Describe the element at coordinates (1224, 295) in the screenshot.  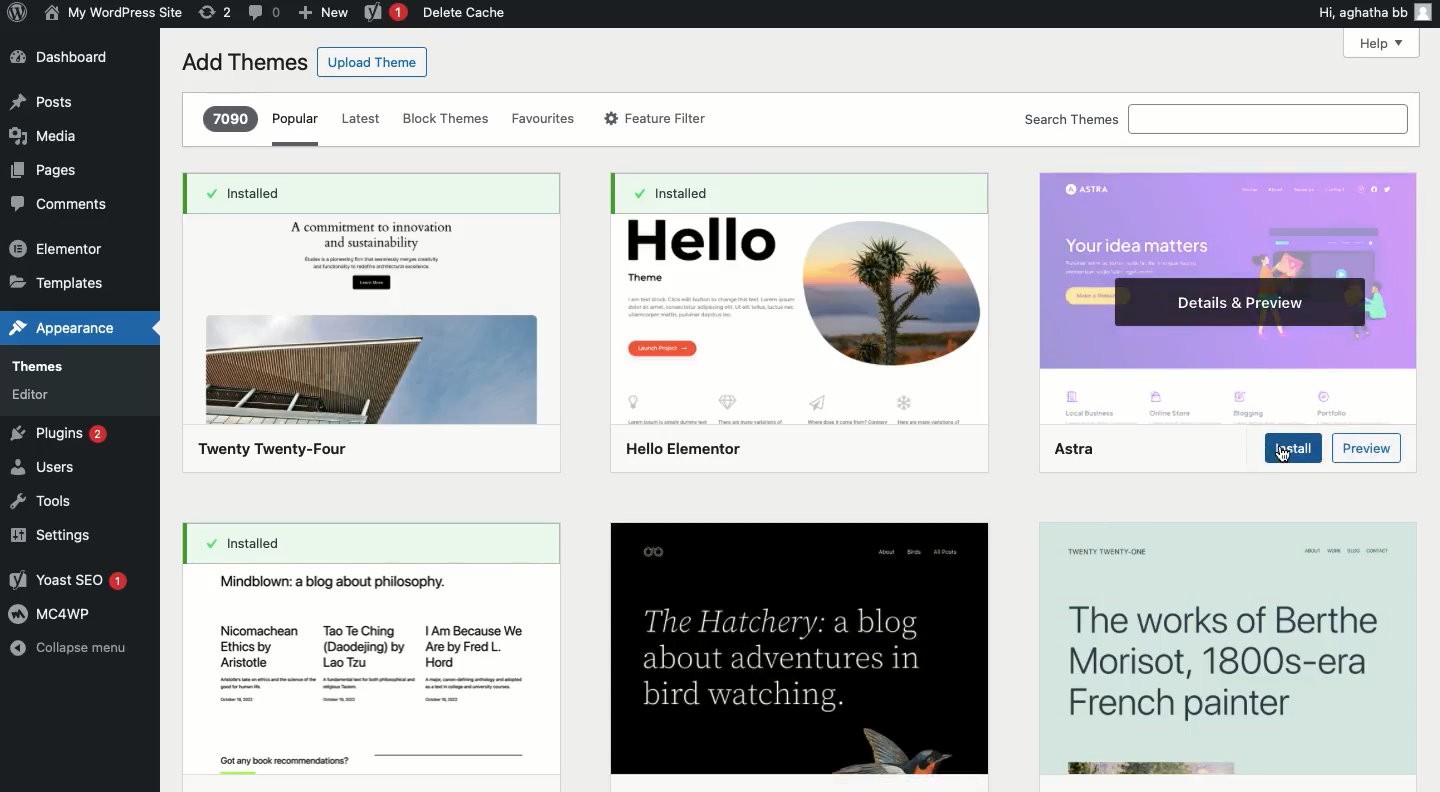
I see `Astra Theme` at that location.